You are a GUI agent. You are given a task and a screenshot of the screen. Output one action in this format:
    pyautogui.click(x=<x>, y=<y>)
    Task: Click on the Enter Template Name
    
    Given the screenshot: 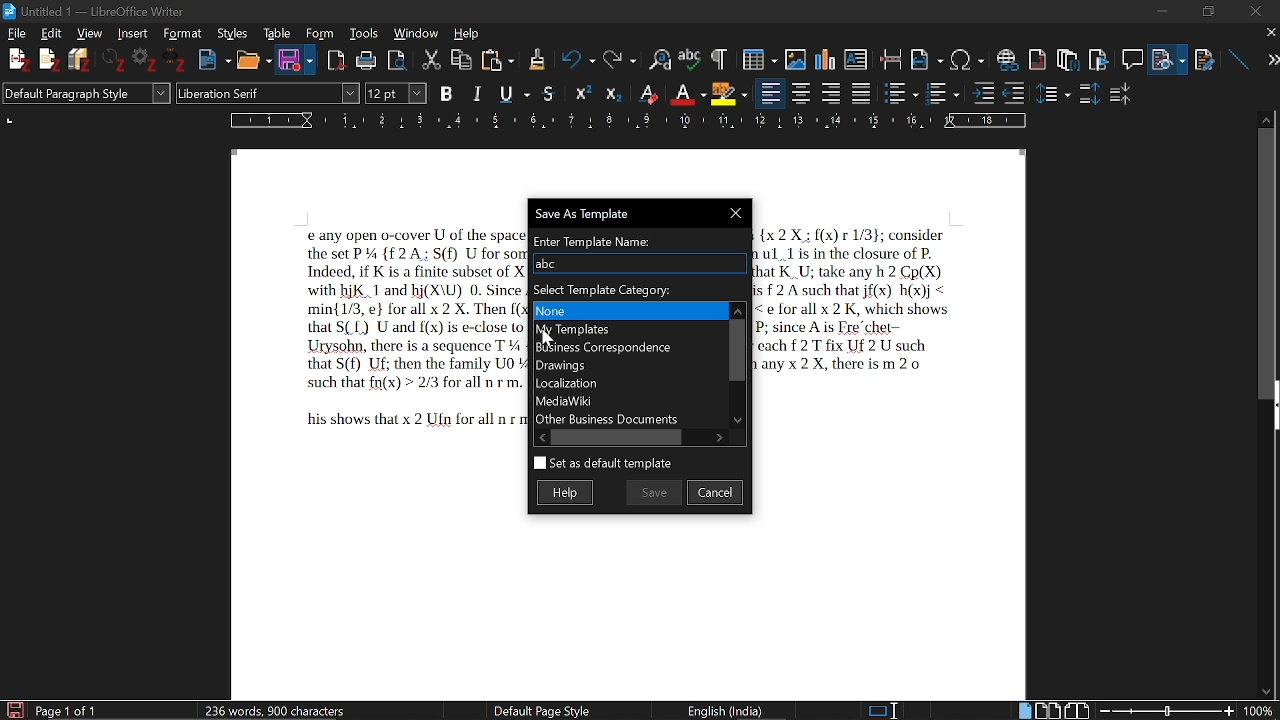 What is the action you would take?
    pyautogui.click(x=637, y=238)
    